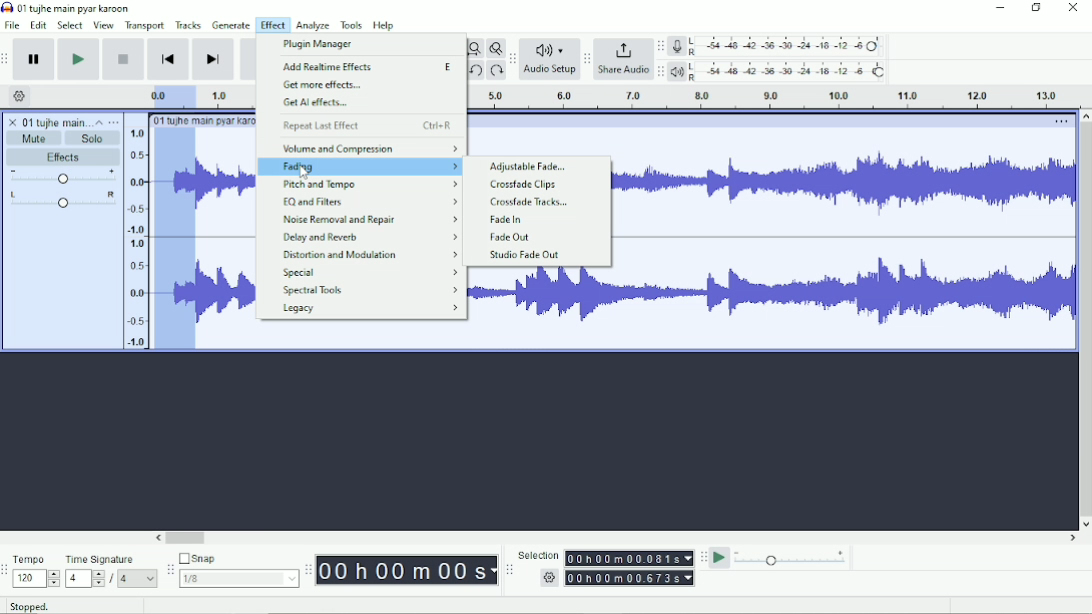  Describe the element at coordinates (320, 44) in the screenshot. I see `Plugin Manager` at that location.